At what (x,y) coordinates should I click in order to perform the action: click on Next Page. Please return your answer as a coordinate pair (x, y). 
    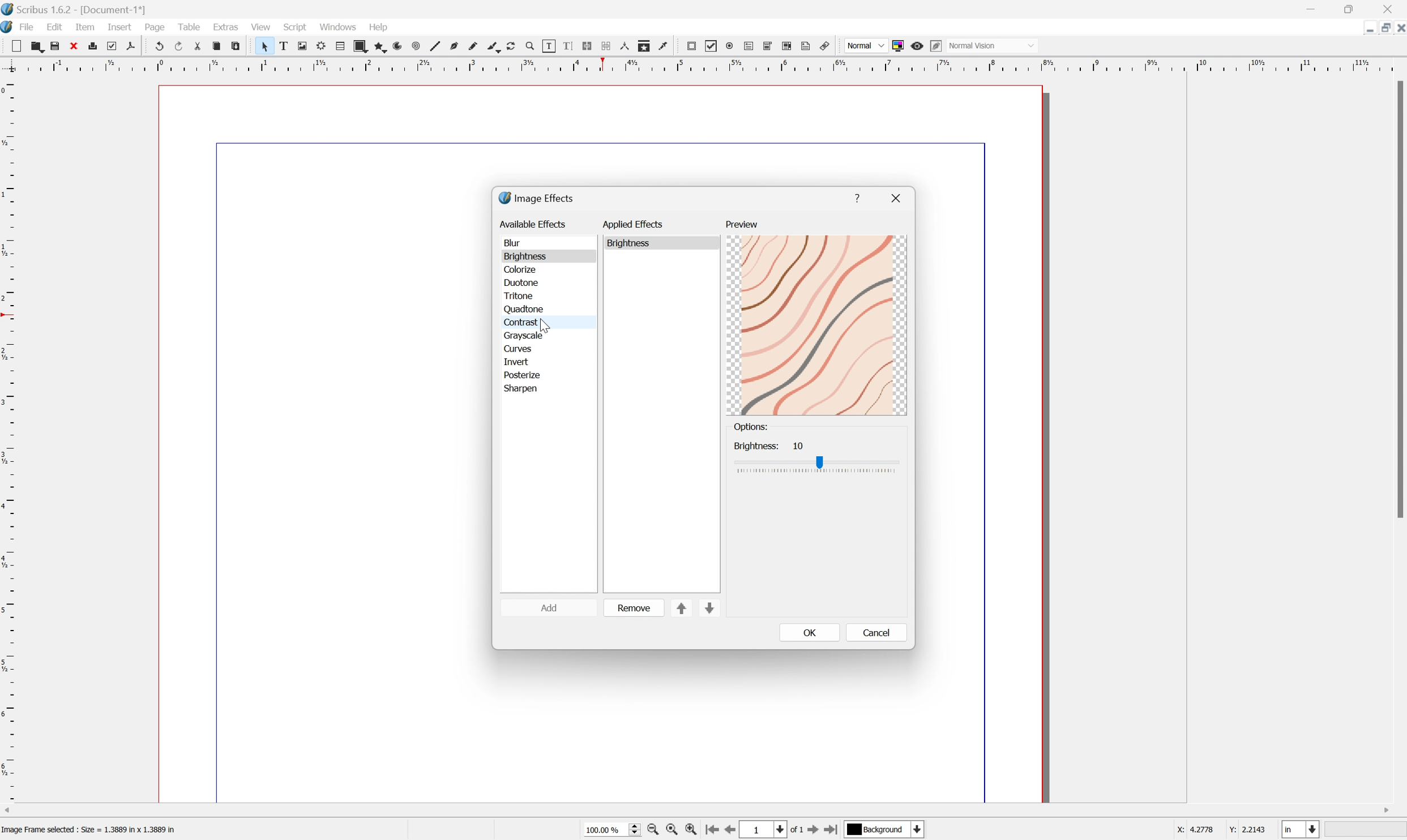
    Looking at the image, I should click on (816, 830).